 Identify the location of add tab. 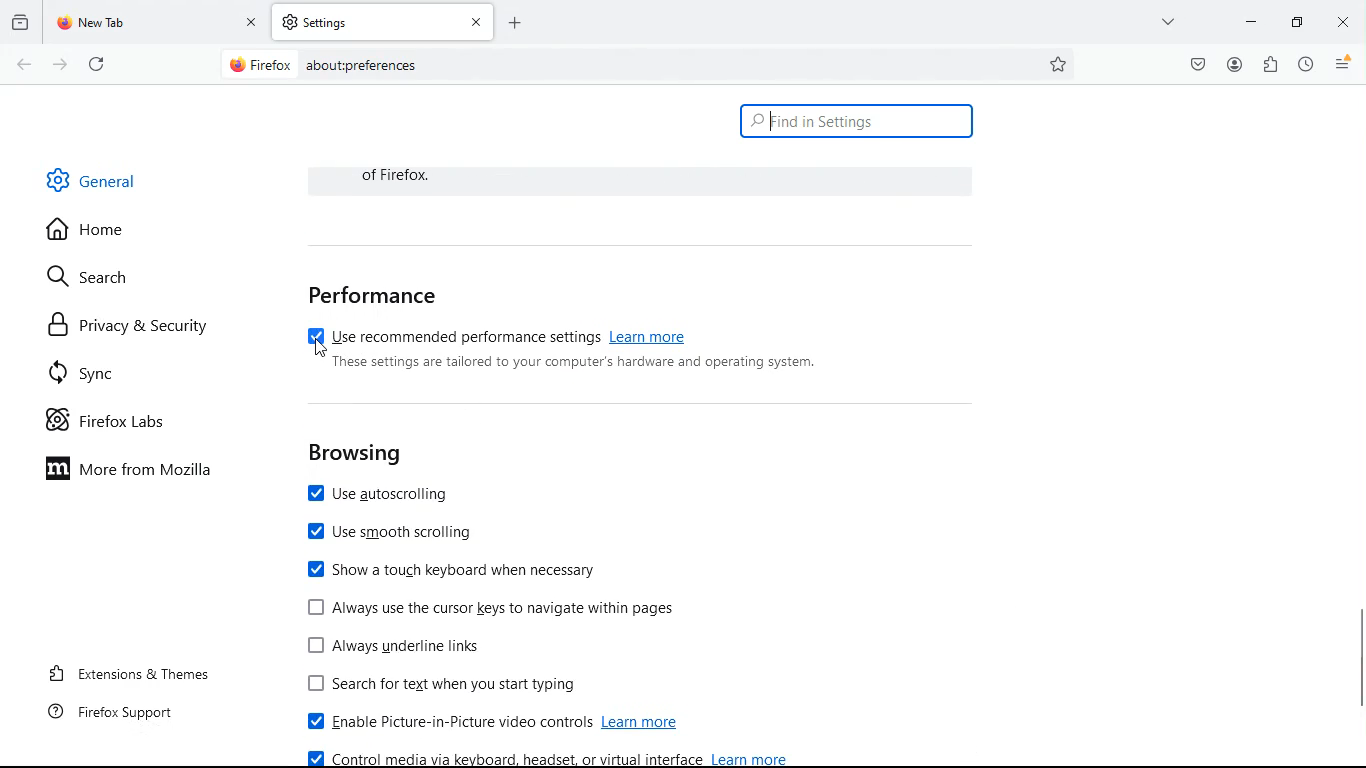
(515, 22).